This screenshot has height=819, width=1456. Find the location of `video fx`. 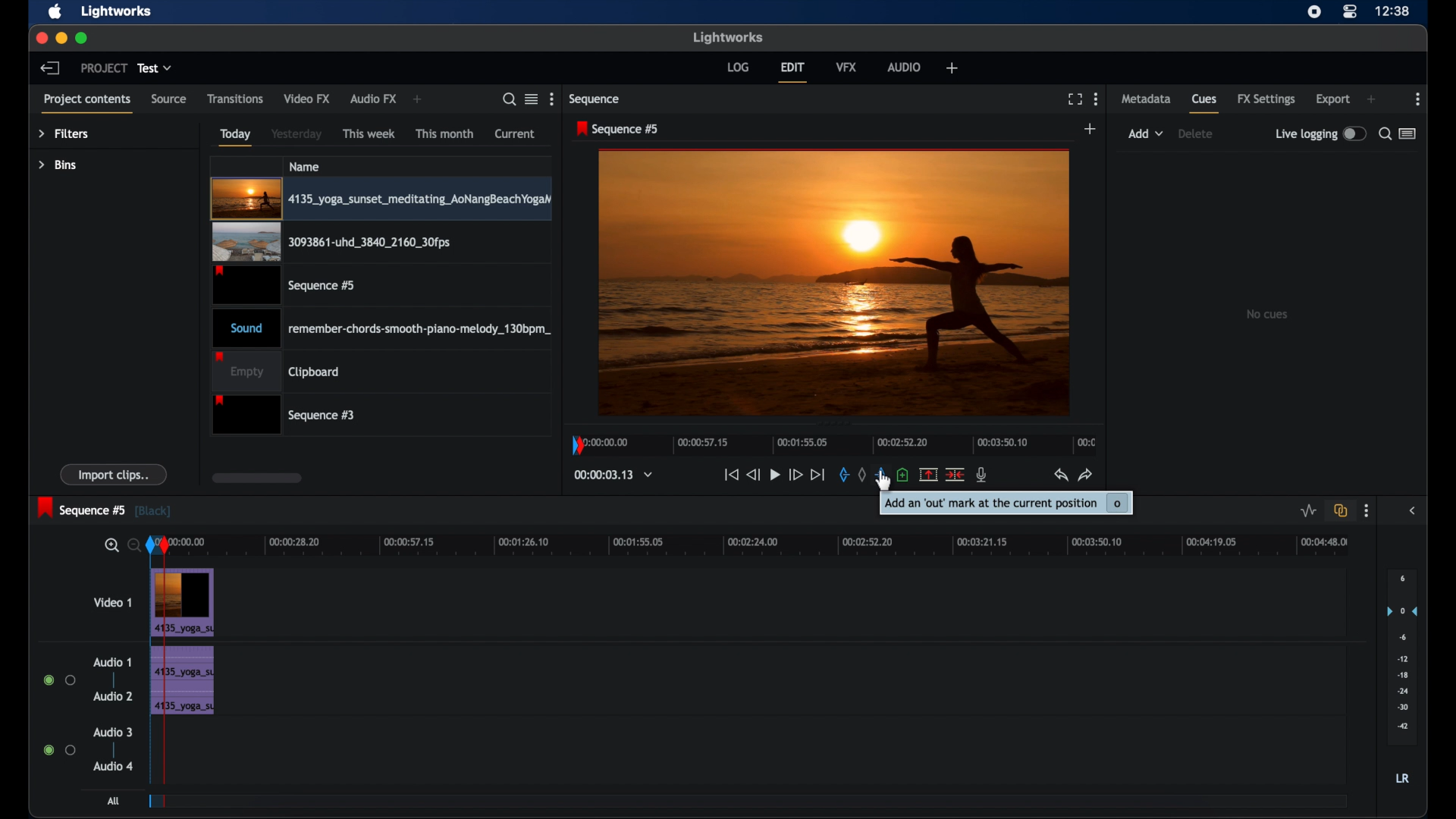

video fx is located at coordinates (308, 99).